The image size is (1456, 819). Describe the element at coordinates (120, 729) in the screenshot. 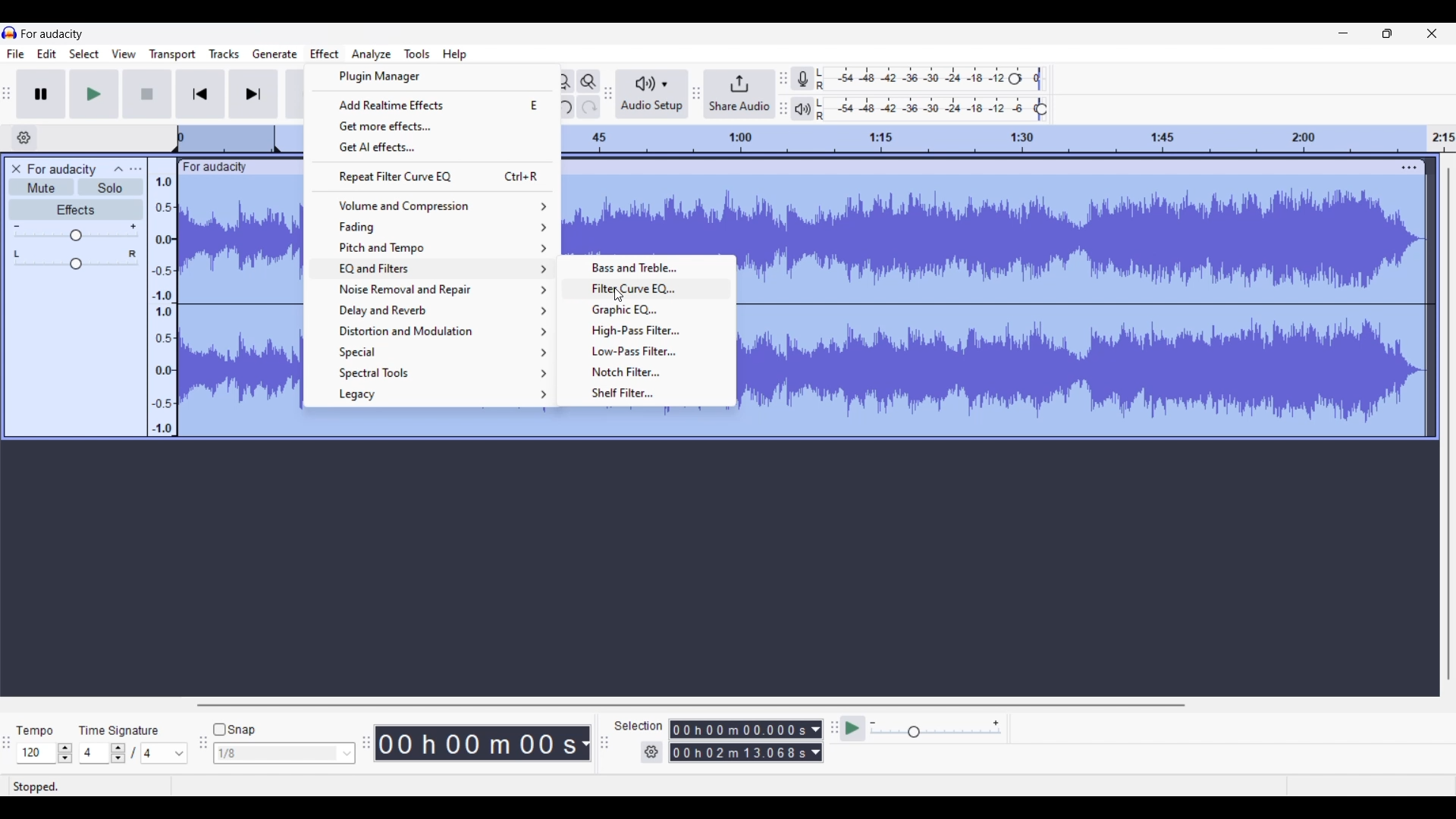

I see `TIme signature` at that location.